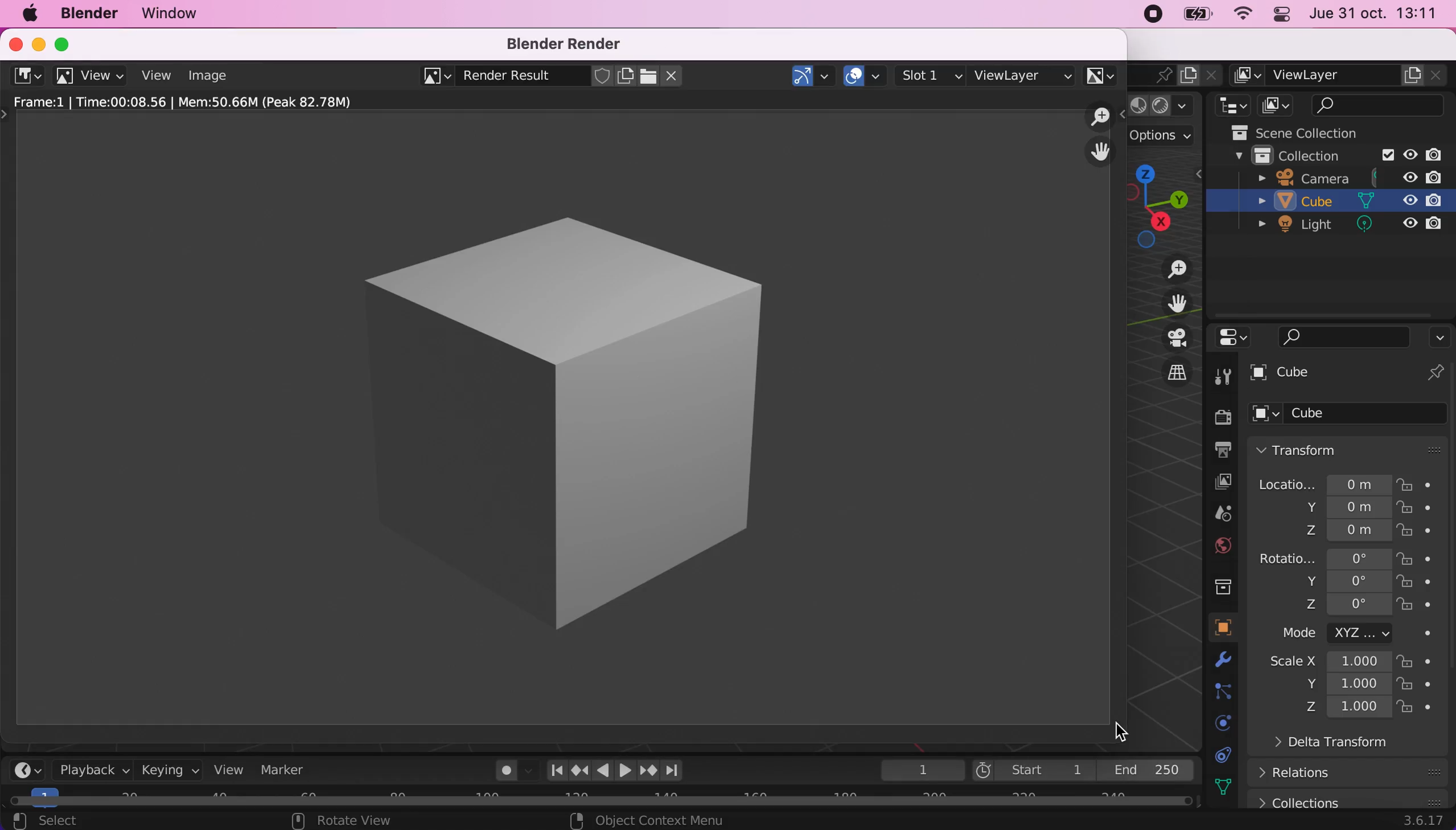 The image size is (1456, 830). Describe the element at coordinates (1166, 372) in the screenshot. I see `switch the current view` at that location.